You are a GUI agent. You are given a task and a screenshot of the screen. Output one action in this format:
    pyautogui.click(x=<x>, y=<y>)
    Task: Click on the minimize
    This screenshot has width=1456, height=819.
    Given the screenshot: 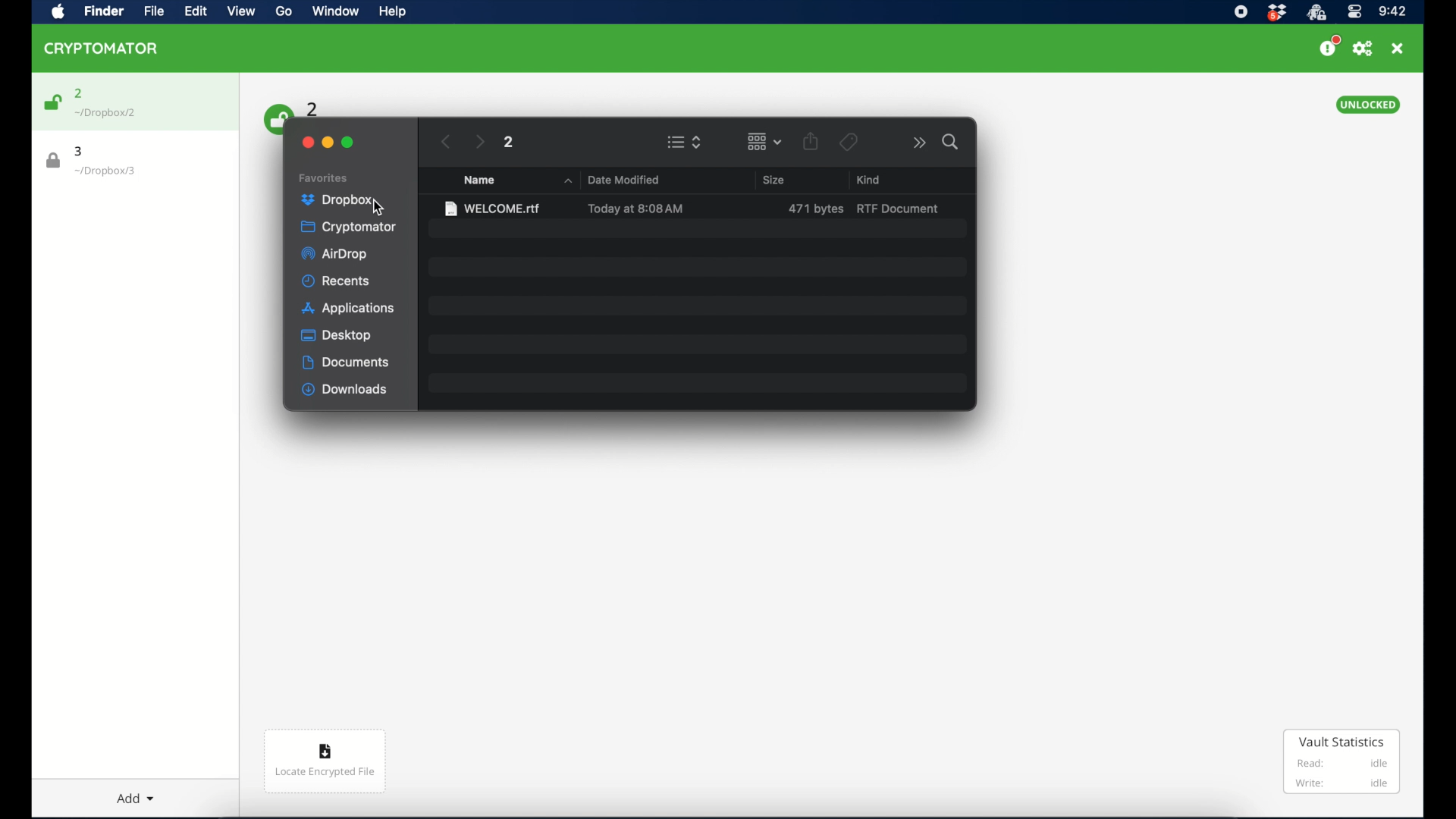 What is the action you would take?
    pyautogui.click(x=328, y=143)
    